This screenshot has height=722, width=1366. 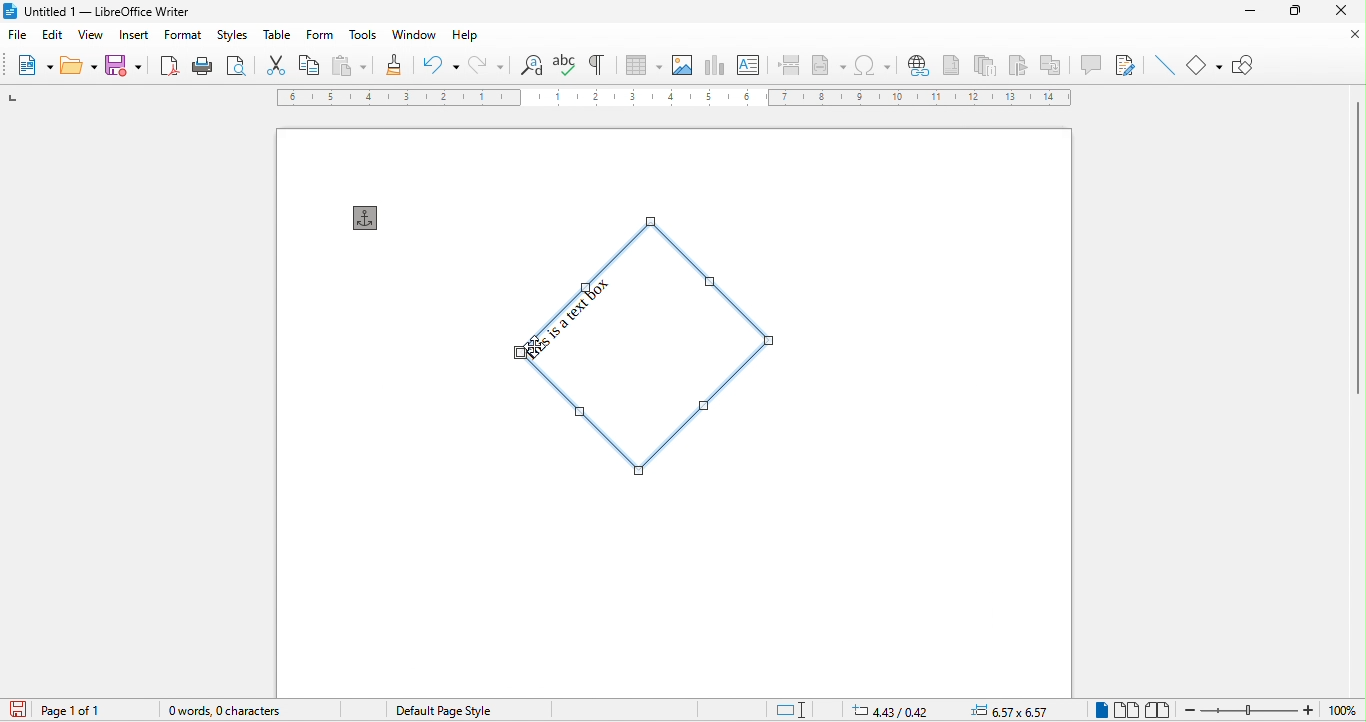 I want to click on bookmark, so click(x=1021, y=65).